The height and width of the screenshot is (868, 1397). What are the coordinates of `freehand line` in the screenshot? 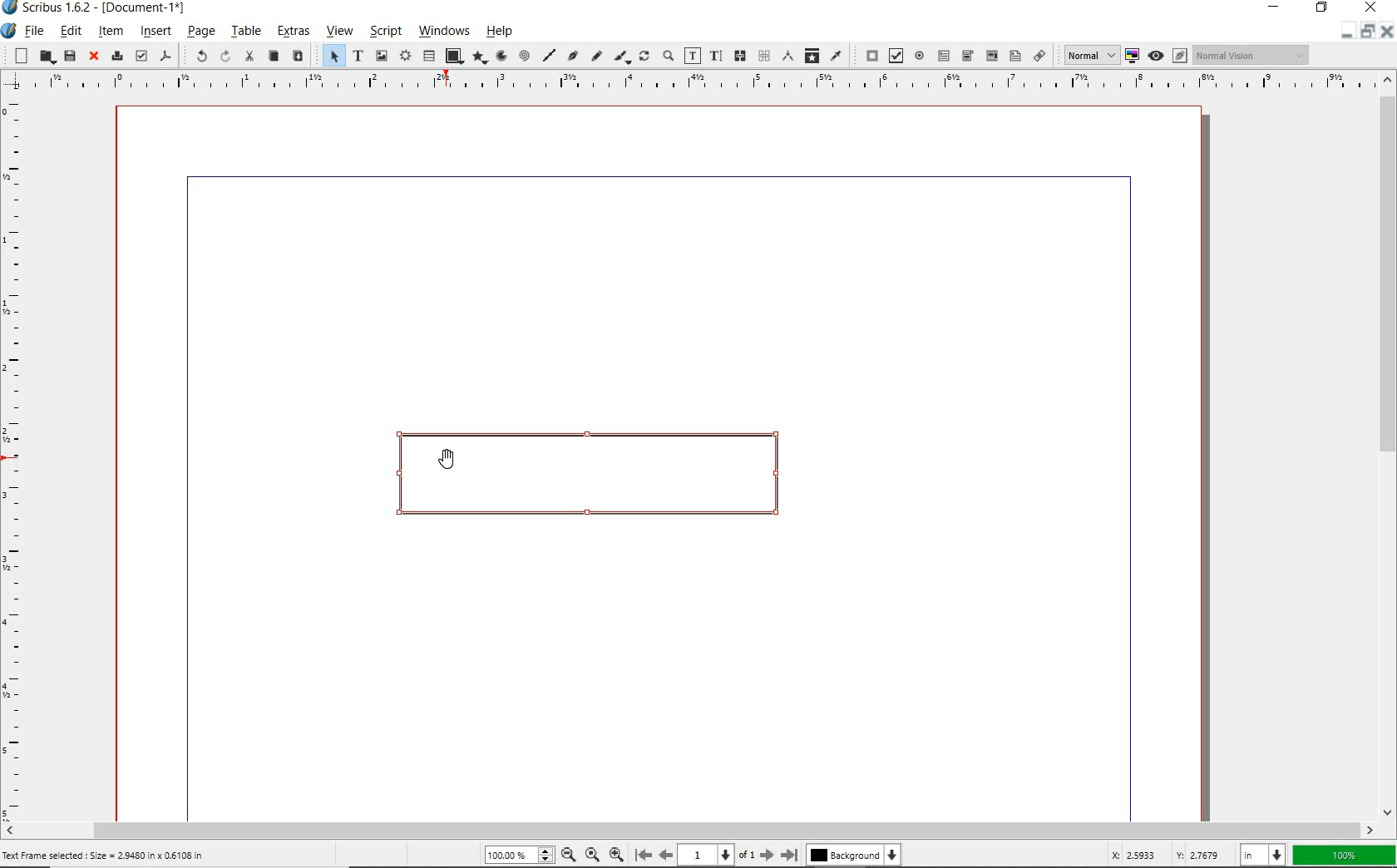 It's located at (595, 57).